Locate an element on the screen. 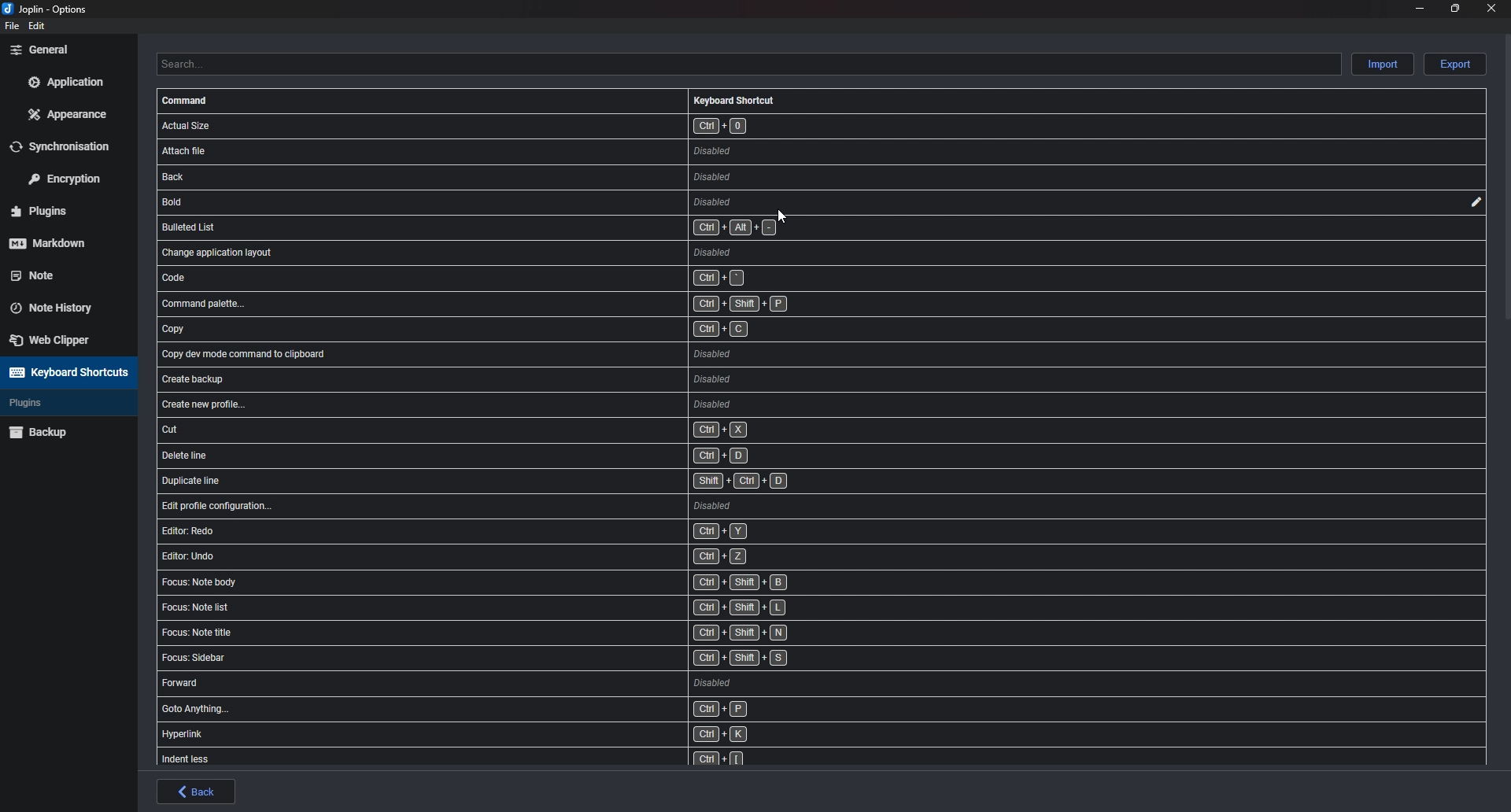 The image size is (1511, 812). edit is located at coordinates (1474, 202).